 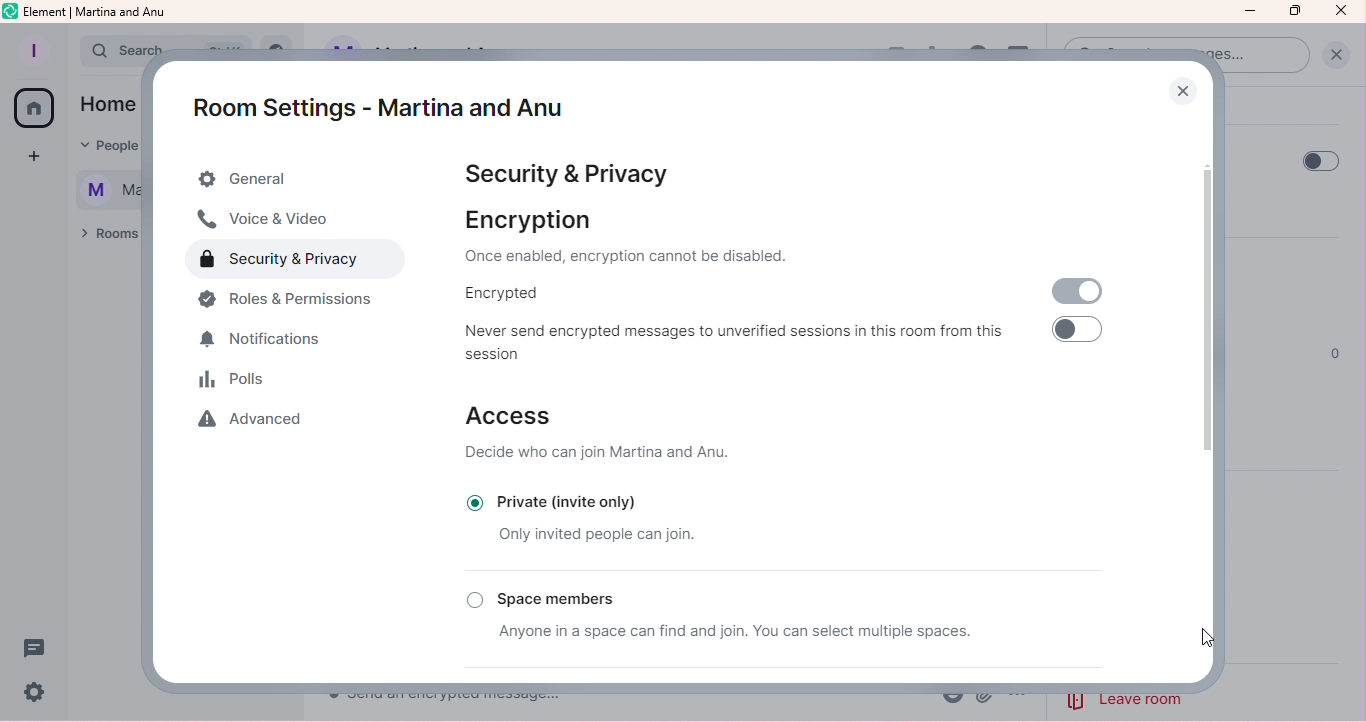 What do you see at coordinates (732, 338) in the screenshot?
I see `Never send encrypted messages to unverified sessions in this room from this session` at bounding box center [732, 338].